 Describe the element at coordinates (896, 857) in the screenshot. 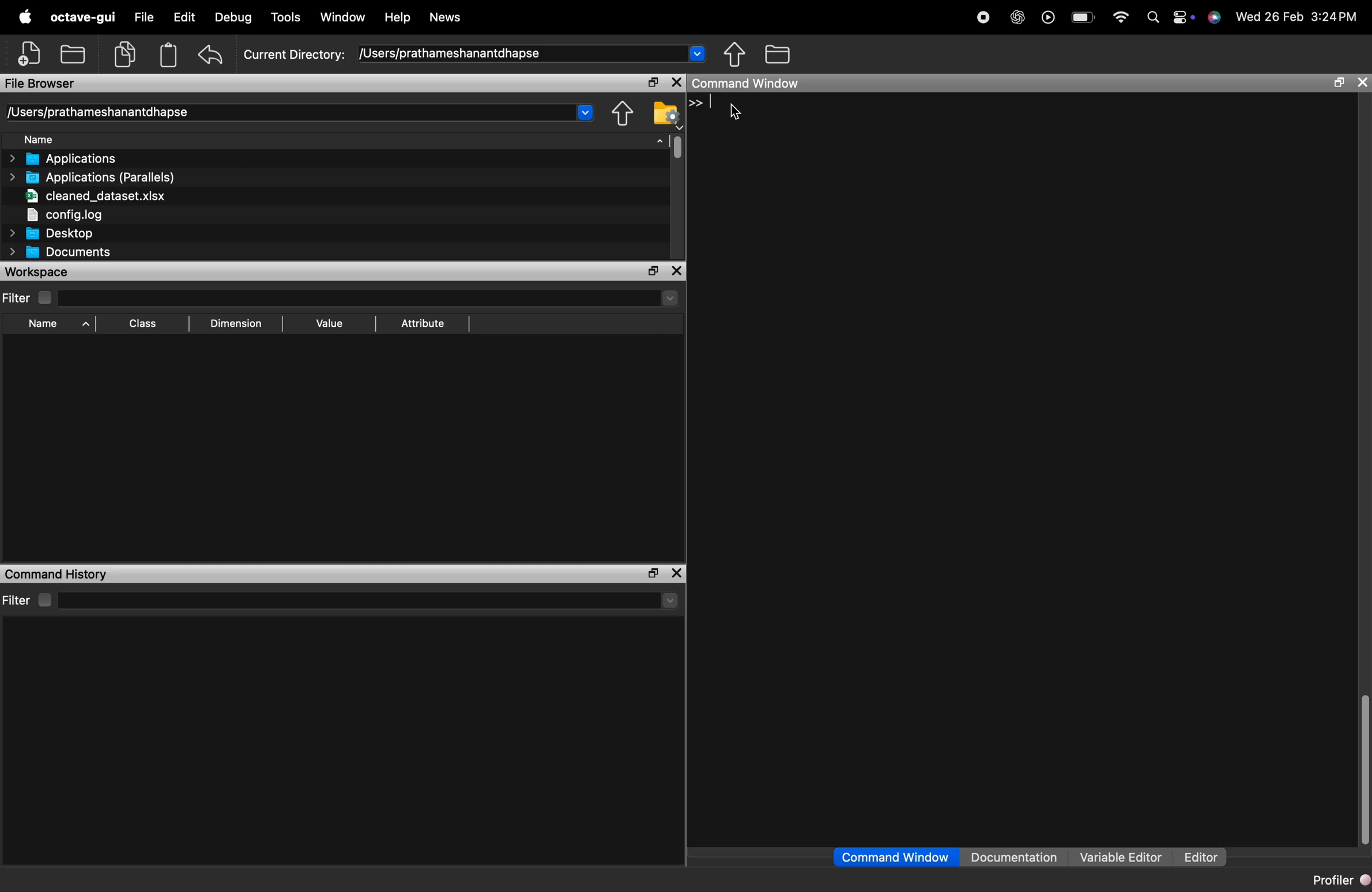

I see `Command Window` at that location.